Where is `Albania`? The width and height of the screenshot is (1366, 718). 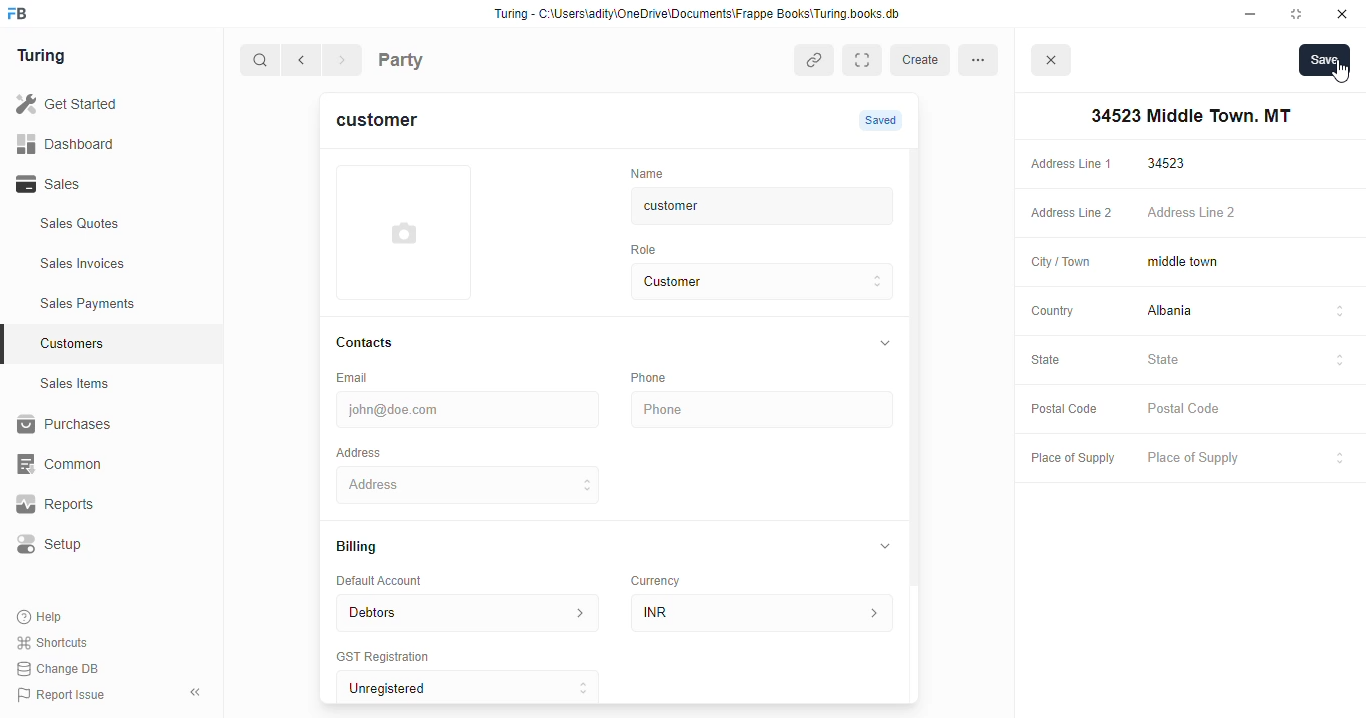
Albania is located at coordinates (1248, 313).